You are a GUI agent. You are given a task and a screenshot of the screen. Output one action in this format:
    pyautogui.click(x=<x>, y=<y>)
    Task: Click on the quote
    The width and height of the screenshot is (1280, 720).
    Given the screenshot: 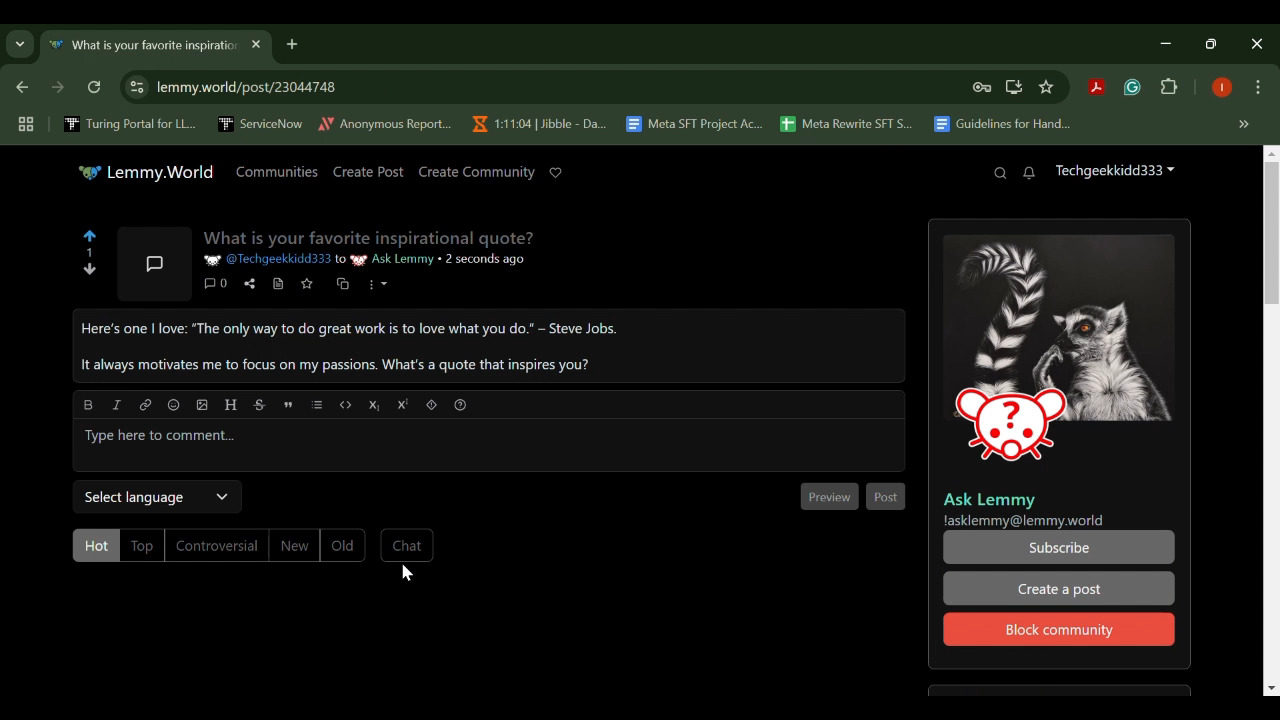 What is the action you would take?
    pyautogui.click(x=288, y=405)
    